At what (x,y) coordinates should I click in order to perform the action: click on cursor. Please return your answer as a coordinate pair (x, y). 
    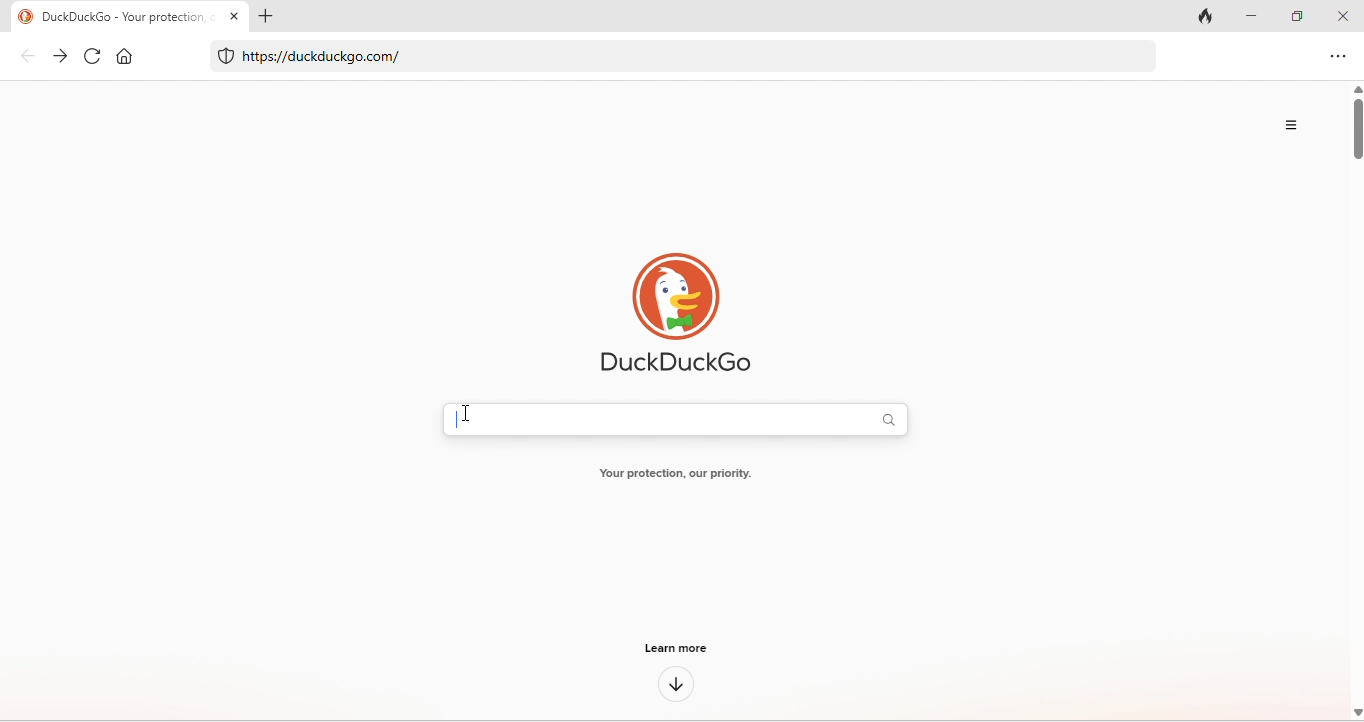
    Looking at the image, I should click on (464, 414).